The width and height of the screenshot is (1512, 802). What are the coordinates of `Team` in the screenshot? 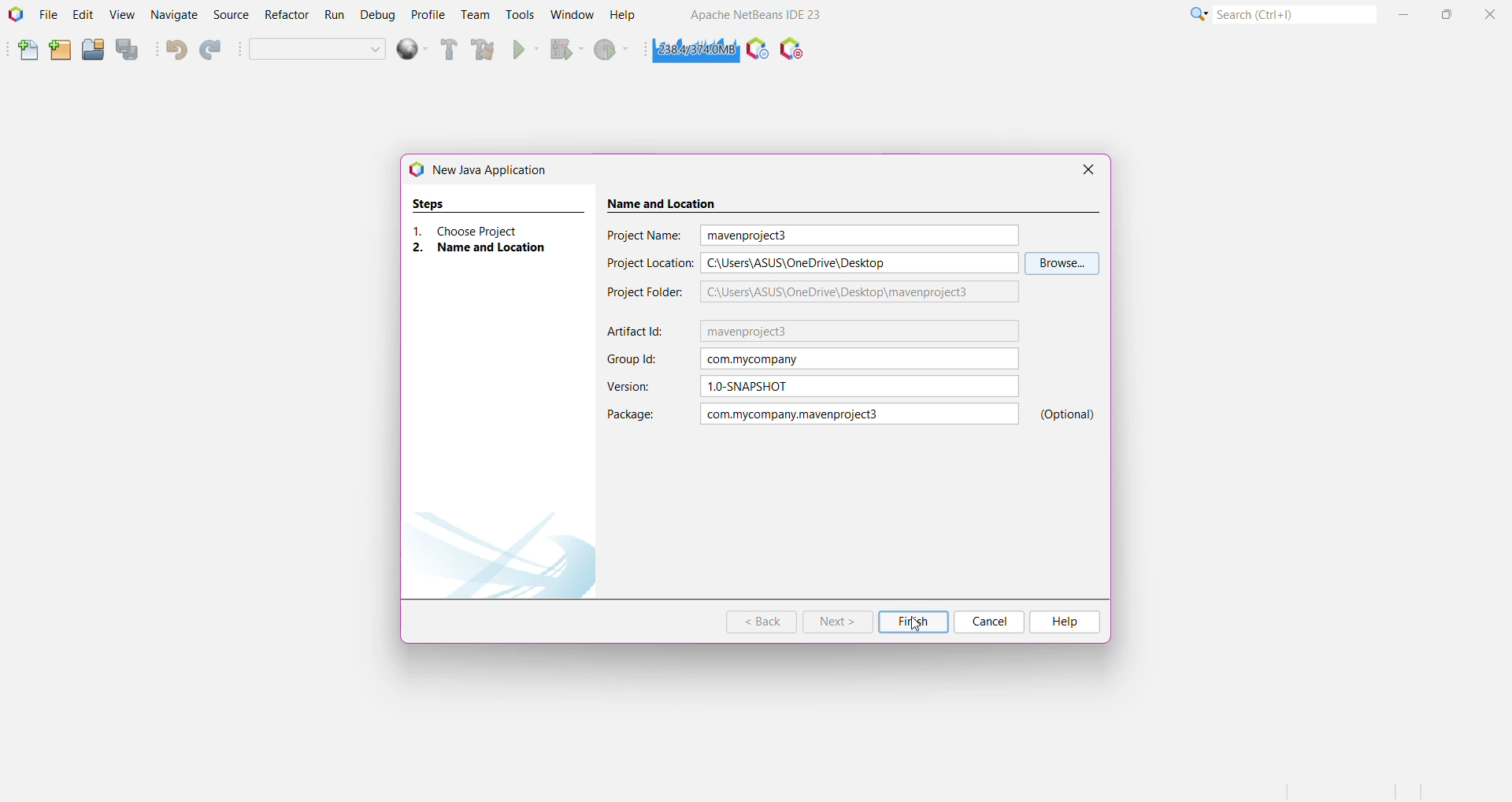 It's located at (475, 16).